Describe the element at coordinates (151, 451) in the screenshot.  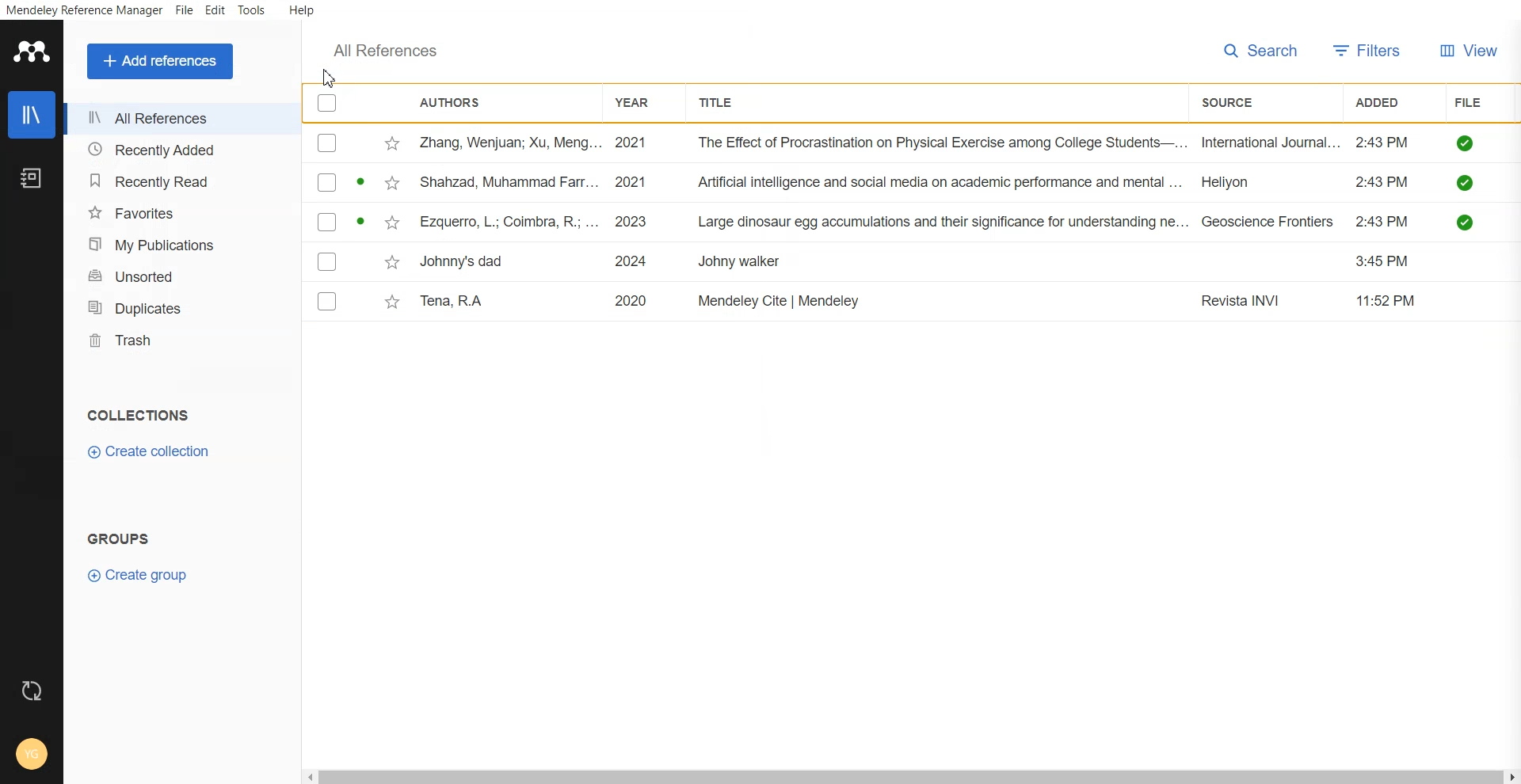
I see `Create Collection` at that location.